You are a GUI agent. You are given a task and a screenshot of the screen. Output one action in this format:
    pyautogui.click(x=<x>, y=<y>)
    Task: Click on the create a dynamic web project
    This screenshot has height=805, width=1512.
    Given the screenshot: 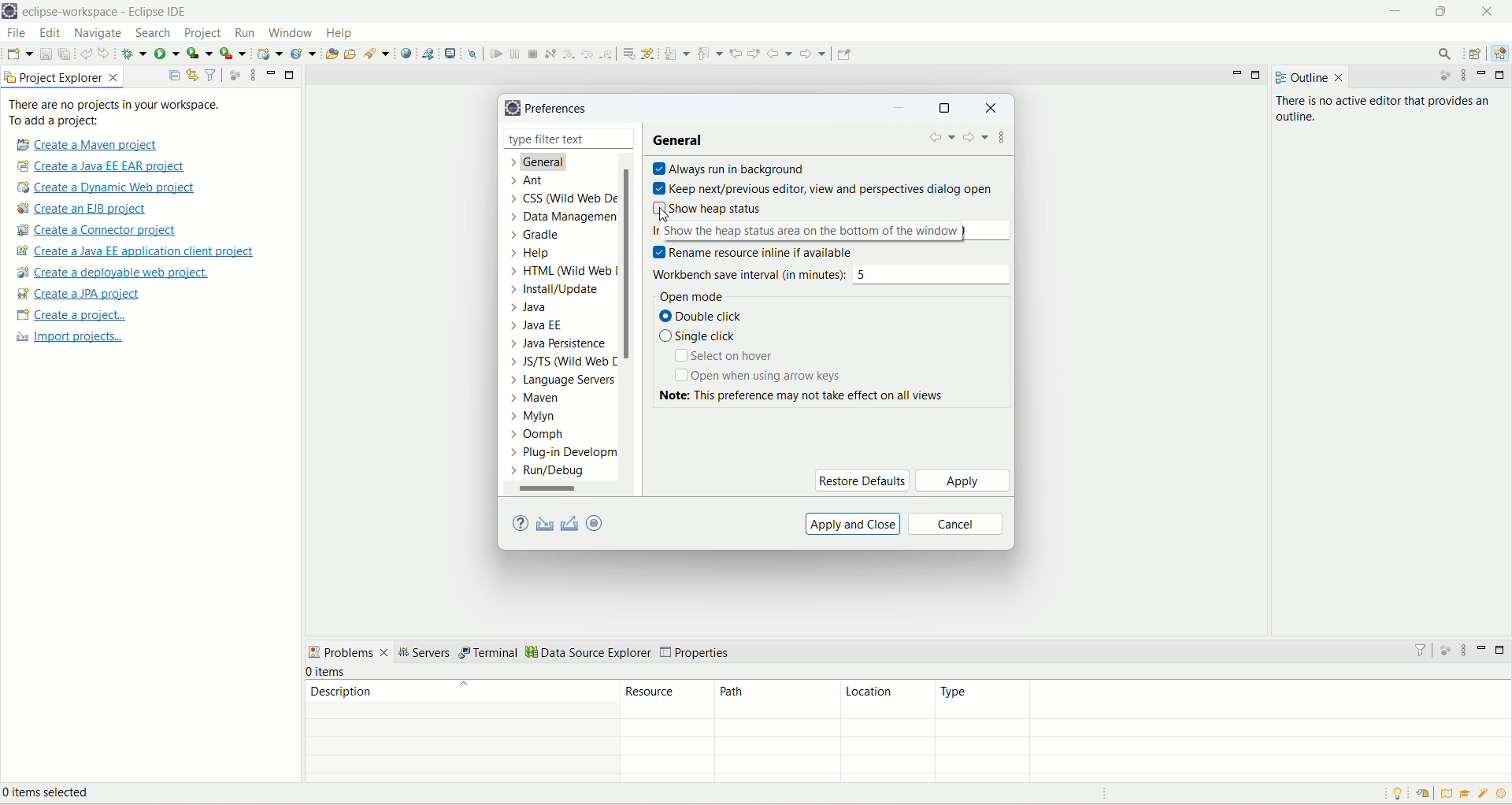 What is the action you would take?
    pyautogui.click(x=270, y=54)
    